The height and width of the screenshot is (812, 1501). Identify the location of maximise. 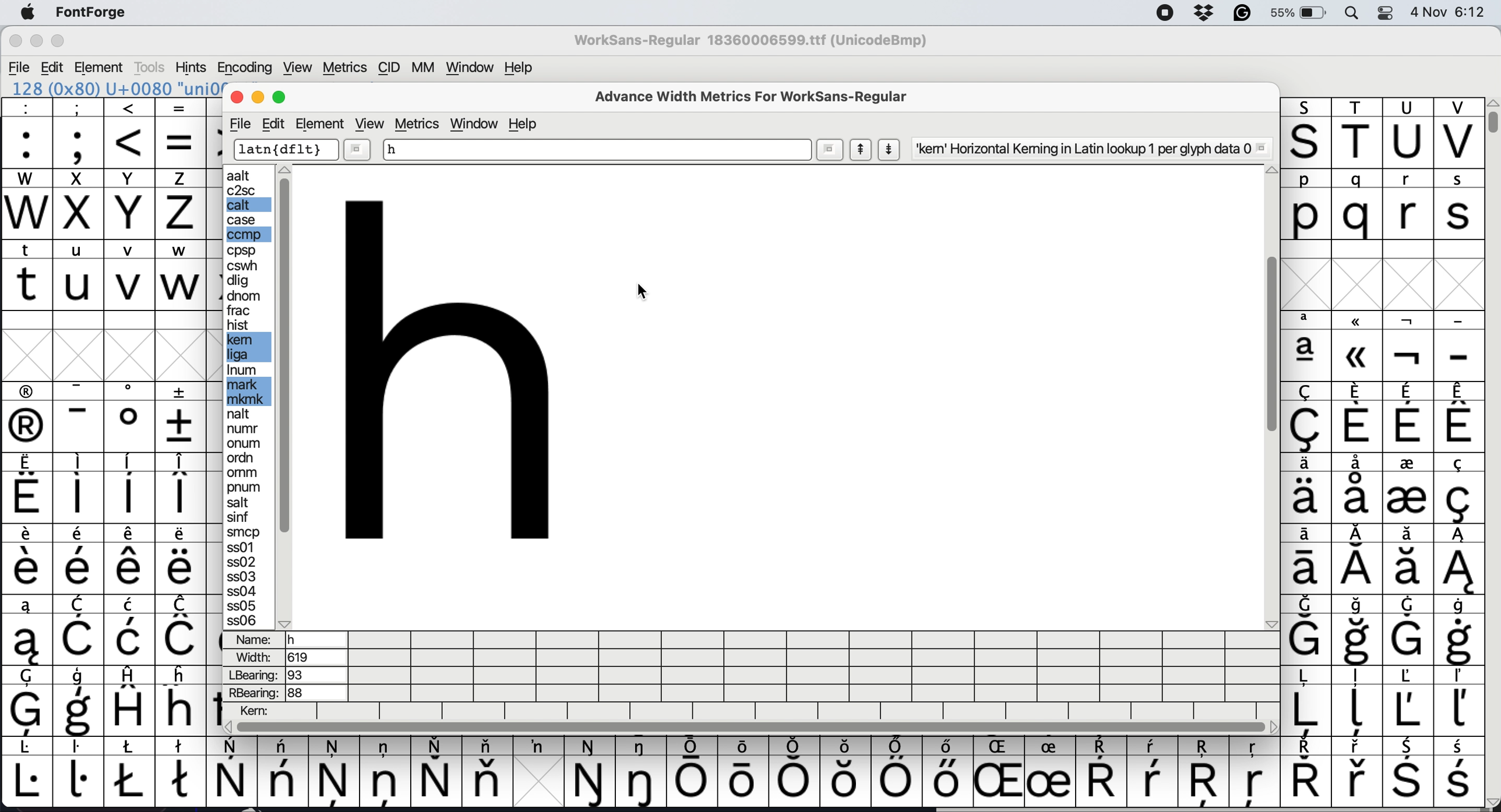
(280, 97).